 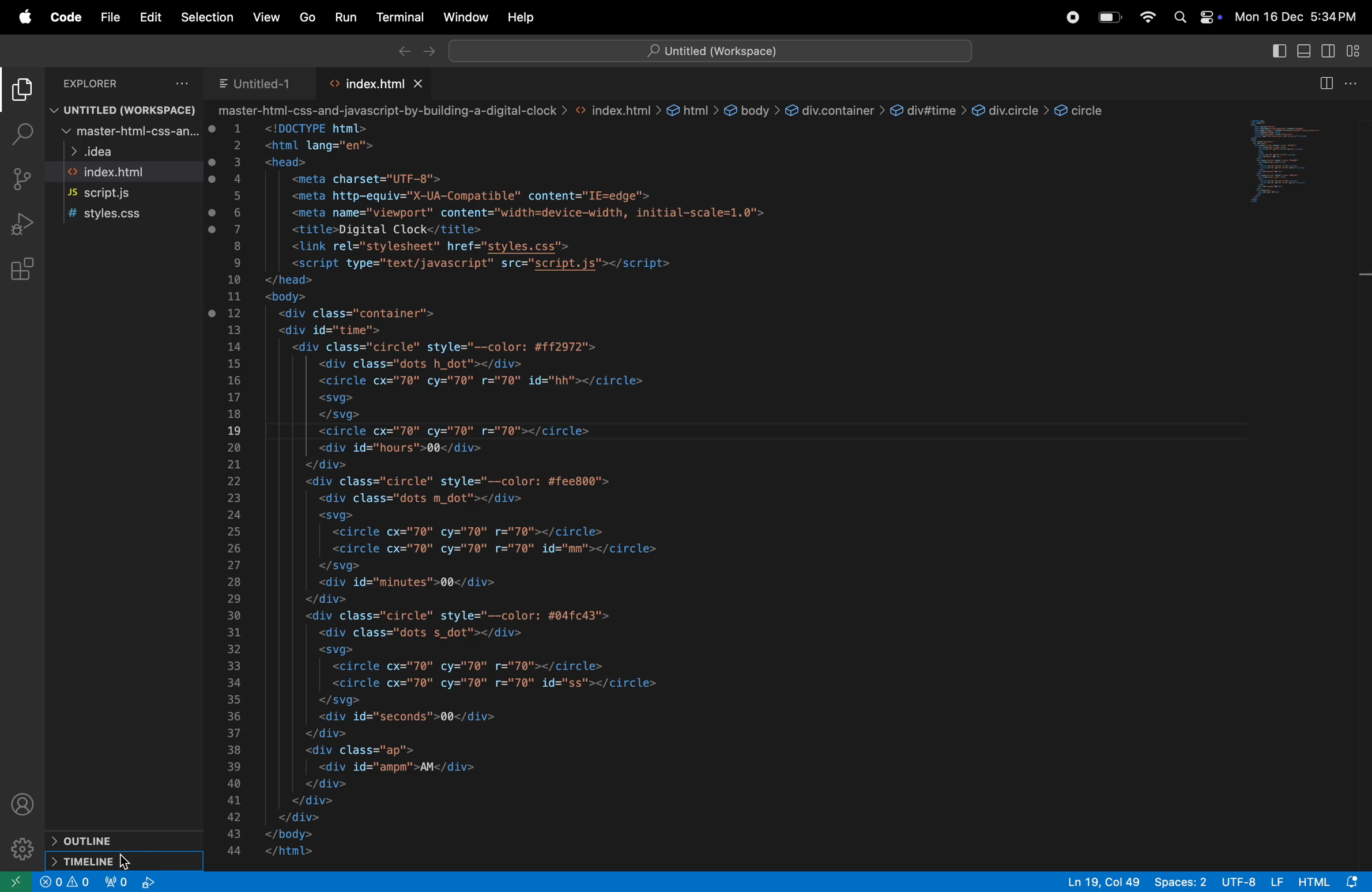 What do you see at coordinates (126, 111) in the screenshot?
I see `UNTITLED (workspace)` at bounding box center [126, 111].